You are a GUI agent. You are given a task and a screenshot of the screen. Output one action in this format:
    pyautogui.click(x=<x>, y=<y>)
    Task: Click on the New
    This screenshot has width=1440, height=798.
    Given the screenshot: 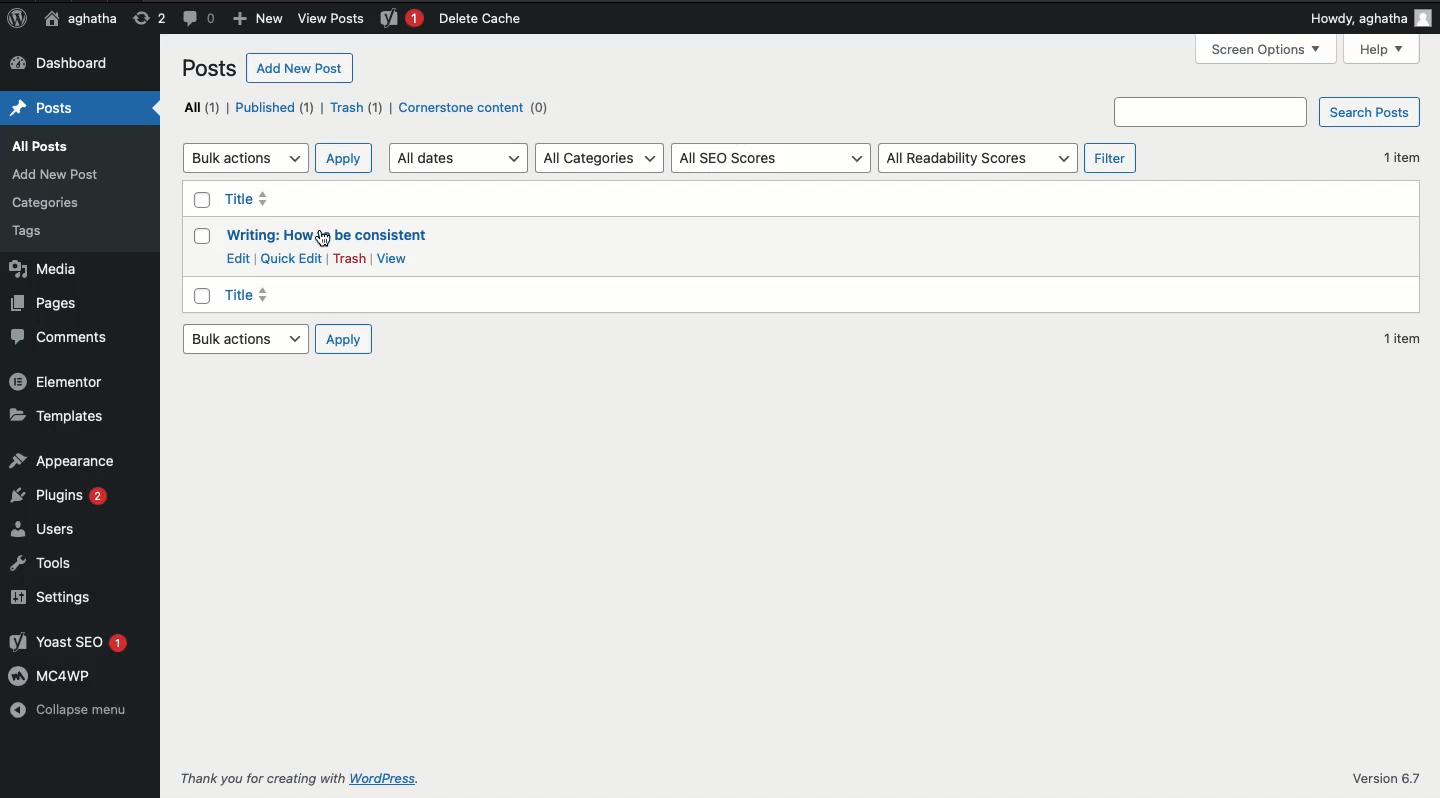 What is the action you would take?
    pyautogui.click(x=256, y=17)
    